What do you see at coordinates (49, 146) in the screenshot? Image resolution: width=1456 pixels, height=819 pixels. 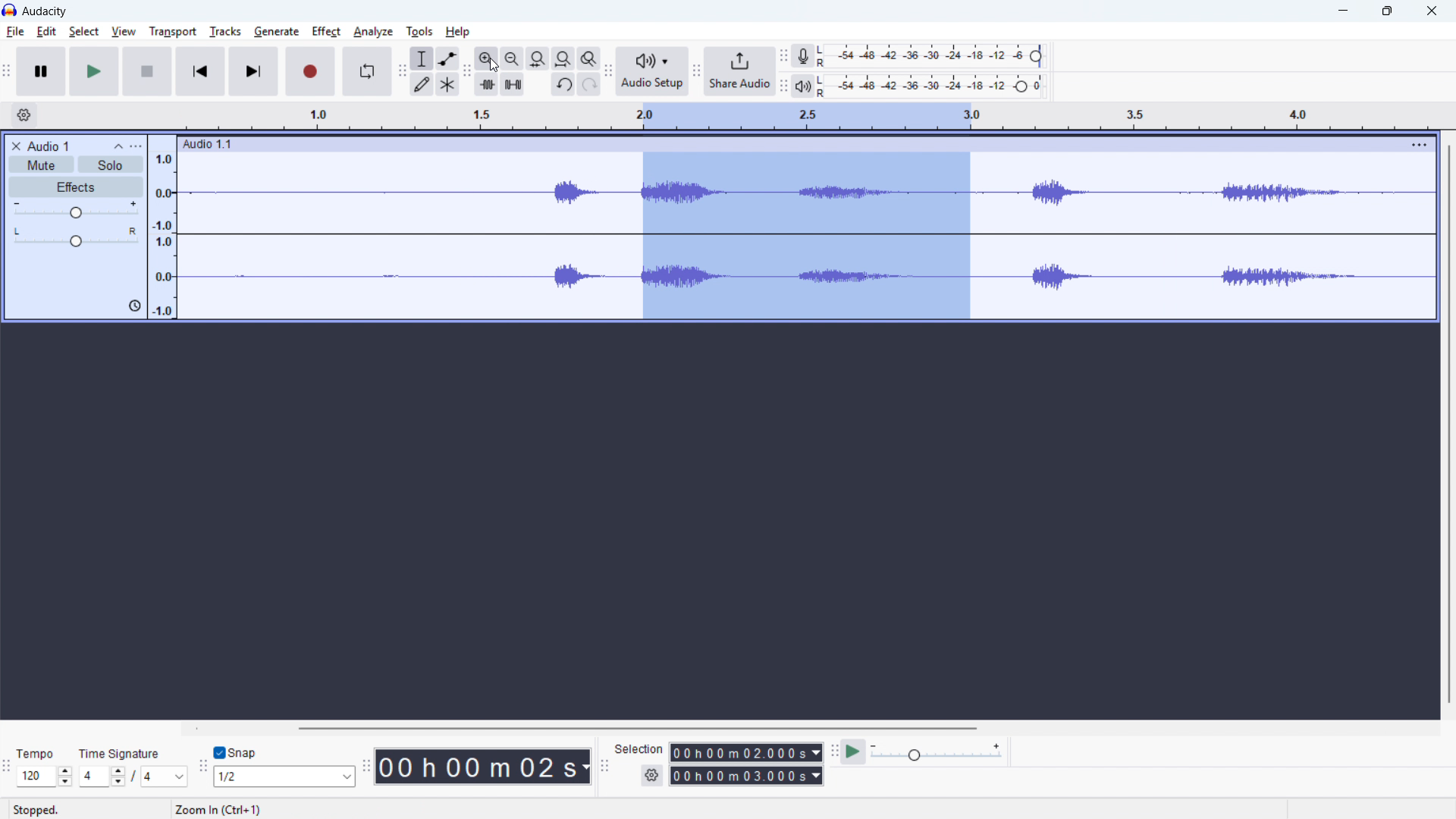 I see `Audio 1` at bounding box center [49, 146].